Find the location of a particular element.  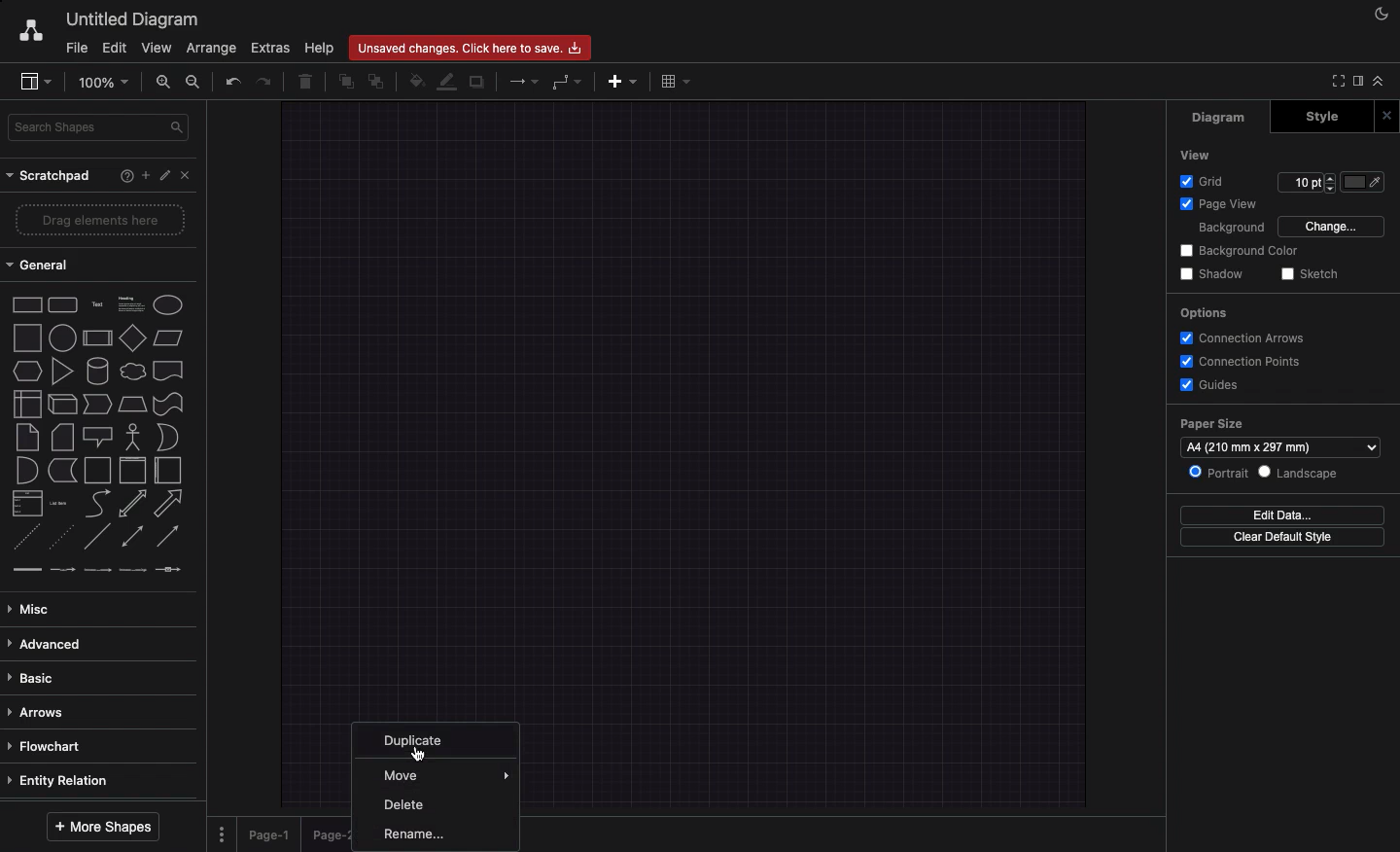

Cursor on Duplicate  is located at coordinates (425, 754).